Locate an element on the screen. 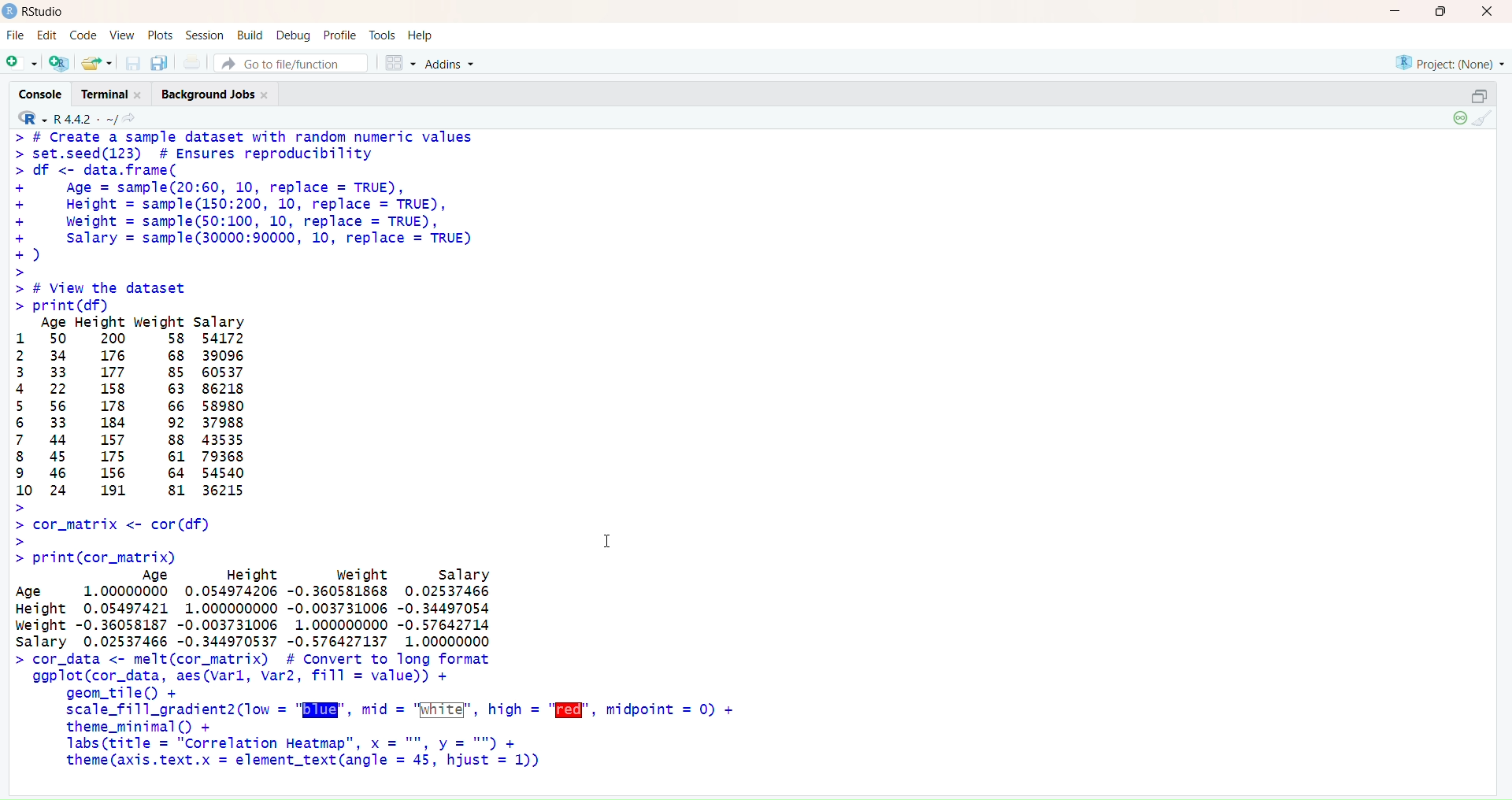  View is located at coordinates (121, 35).